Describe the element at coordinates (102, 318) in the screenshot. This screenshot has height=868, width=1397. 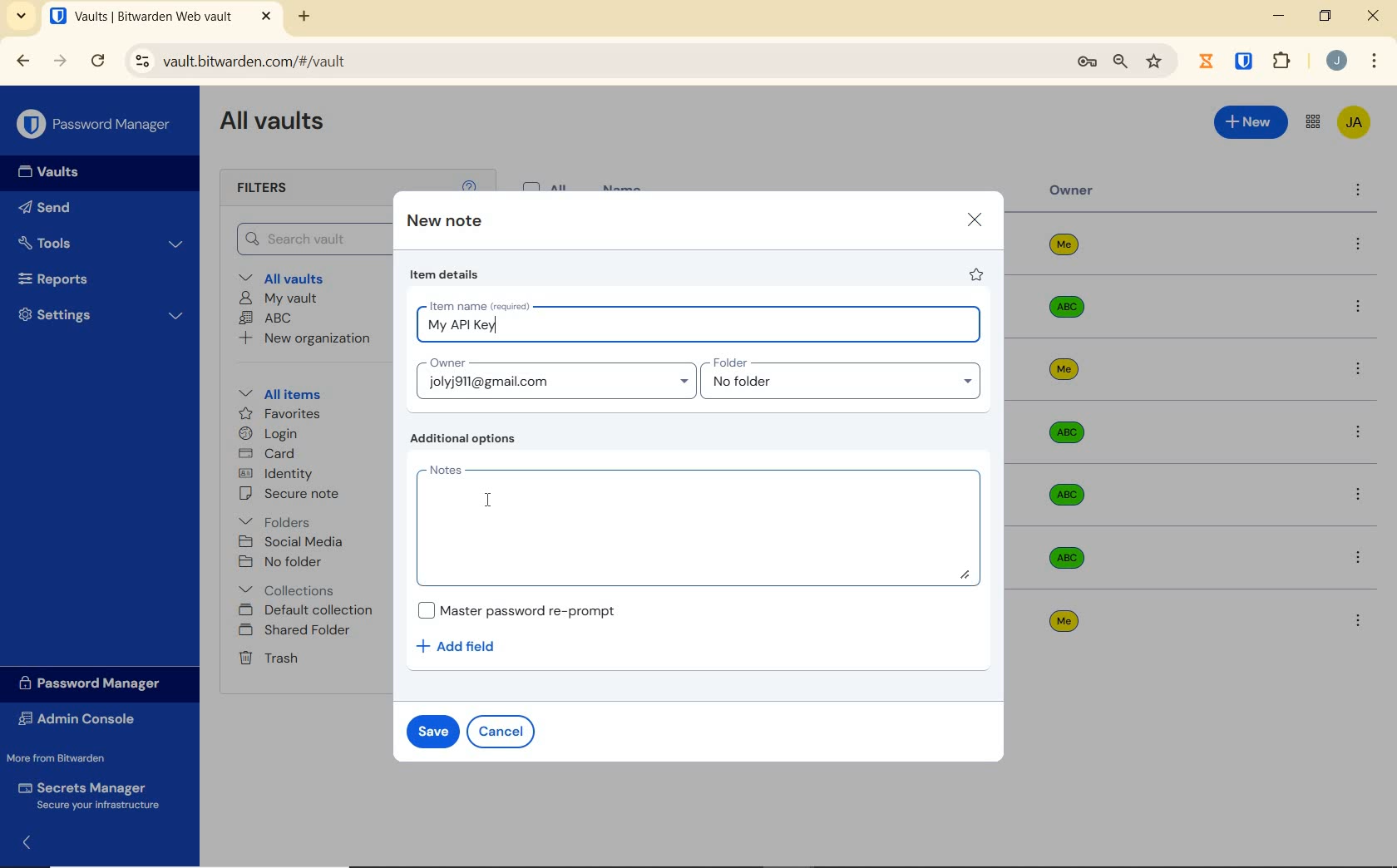
I see `Settings` at that location.